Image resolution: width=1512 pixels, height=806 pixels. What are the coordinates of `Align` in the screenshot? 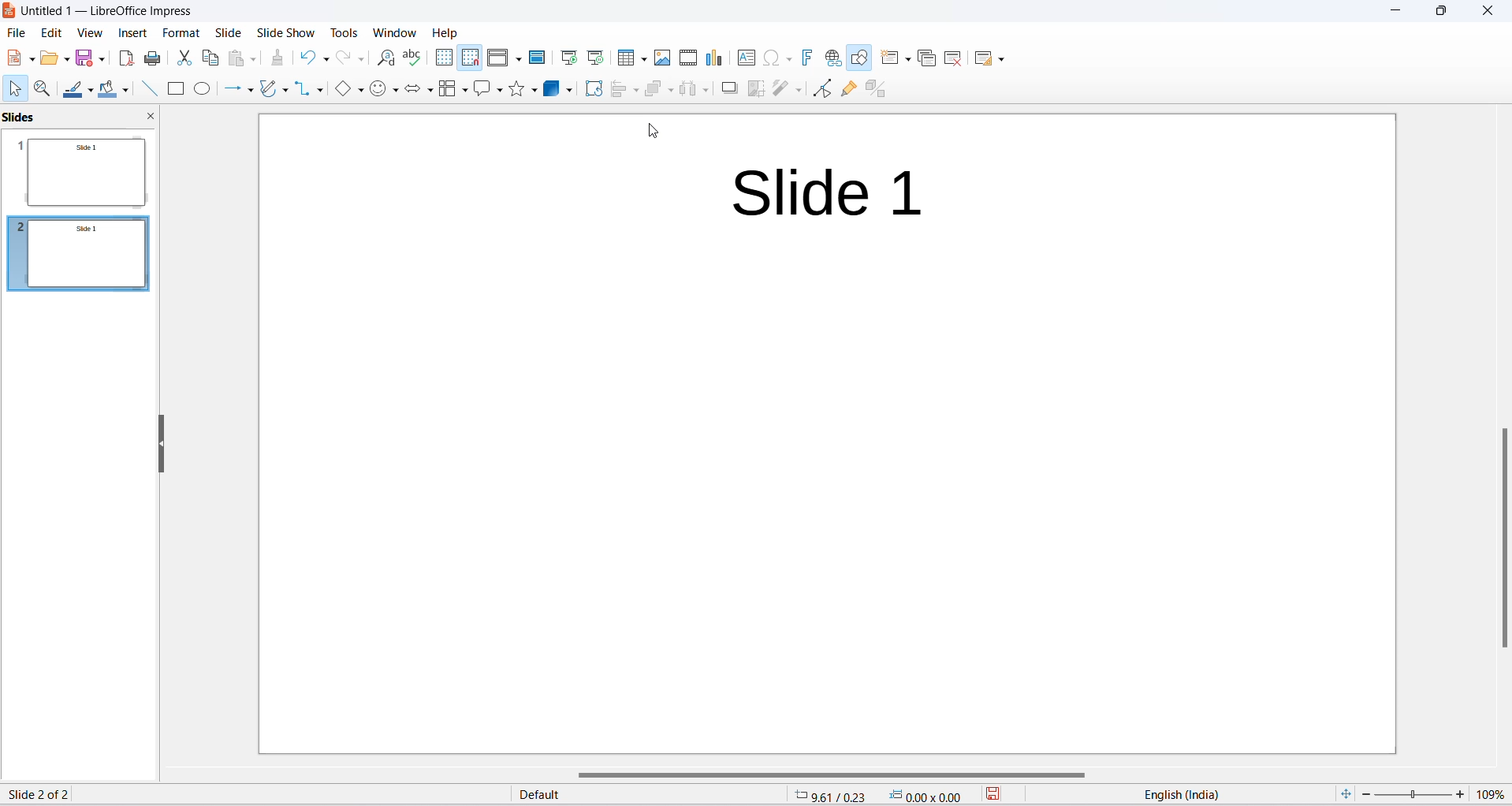 It's located at (625, 91).